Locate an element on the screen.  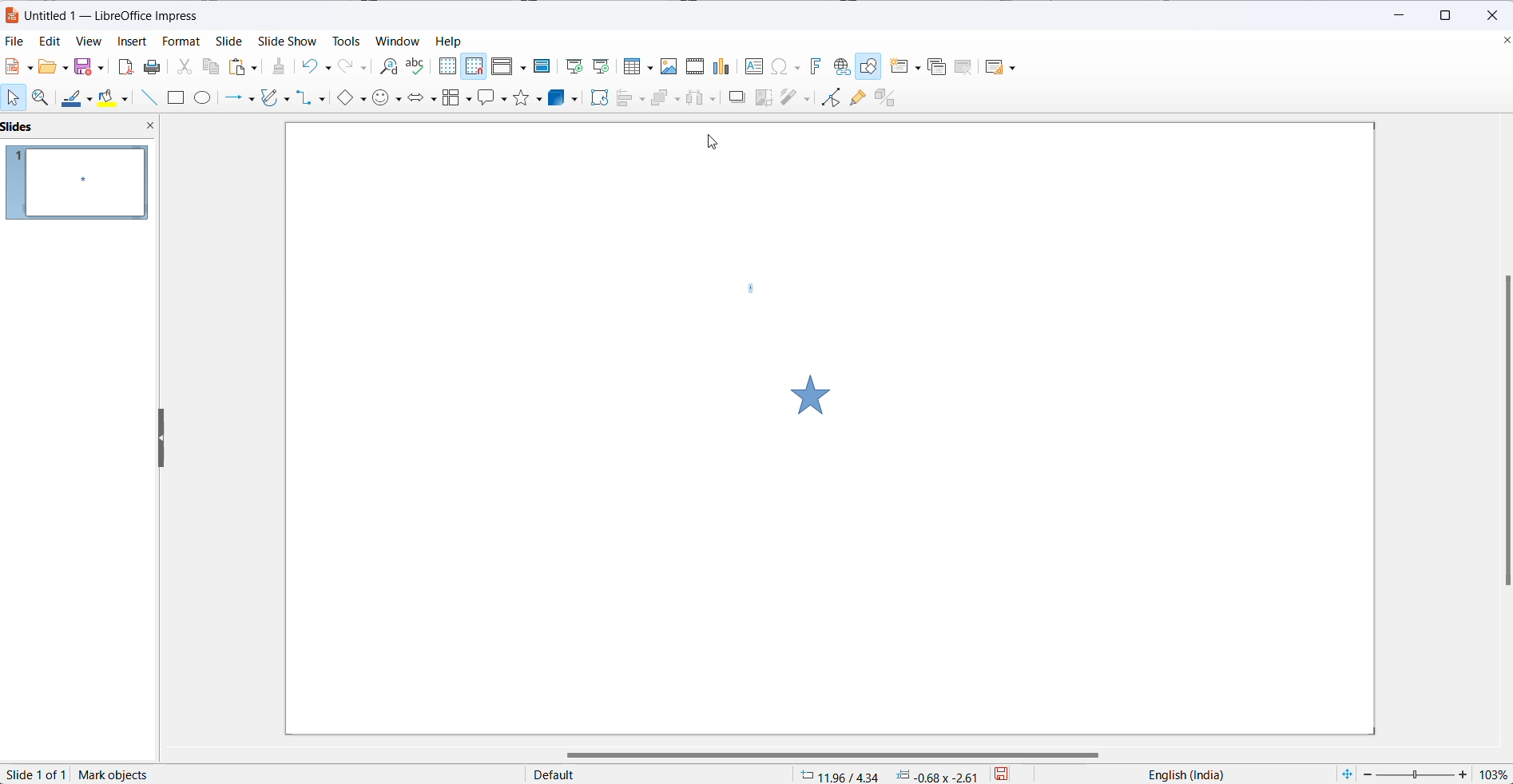
scrollbar is located at coordinates (824, 750).